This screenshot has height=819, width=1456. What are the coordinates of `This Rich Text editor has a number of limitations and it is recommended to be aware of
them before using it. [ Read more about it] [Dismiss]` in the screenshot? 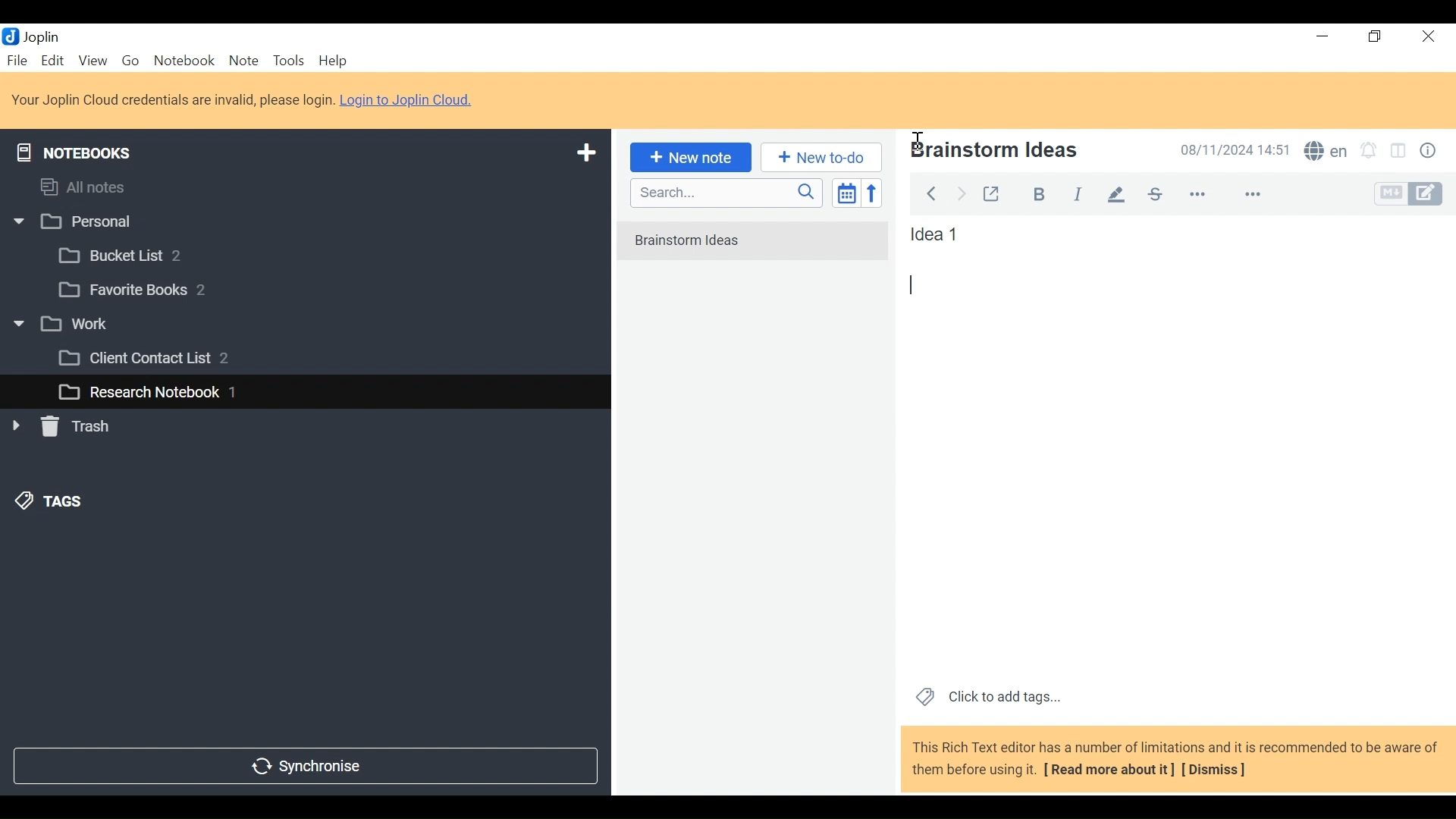 It's located at (1175, 758).